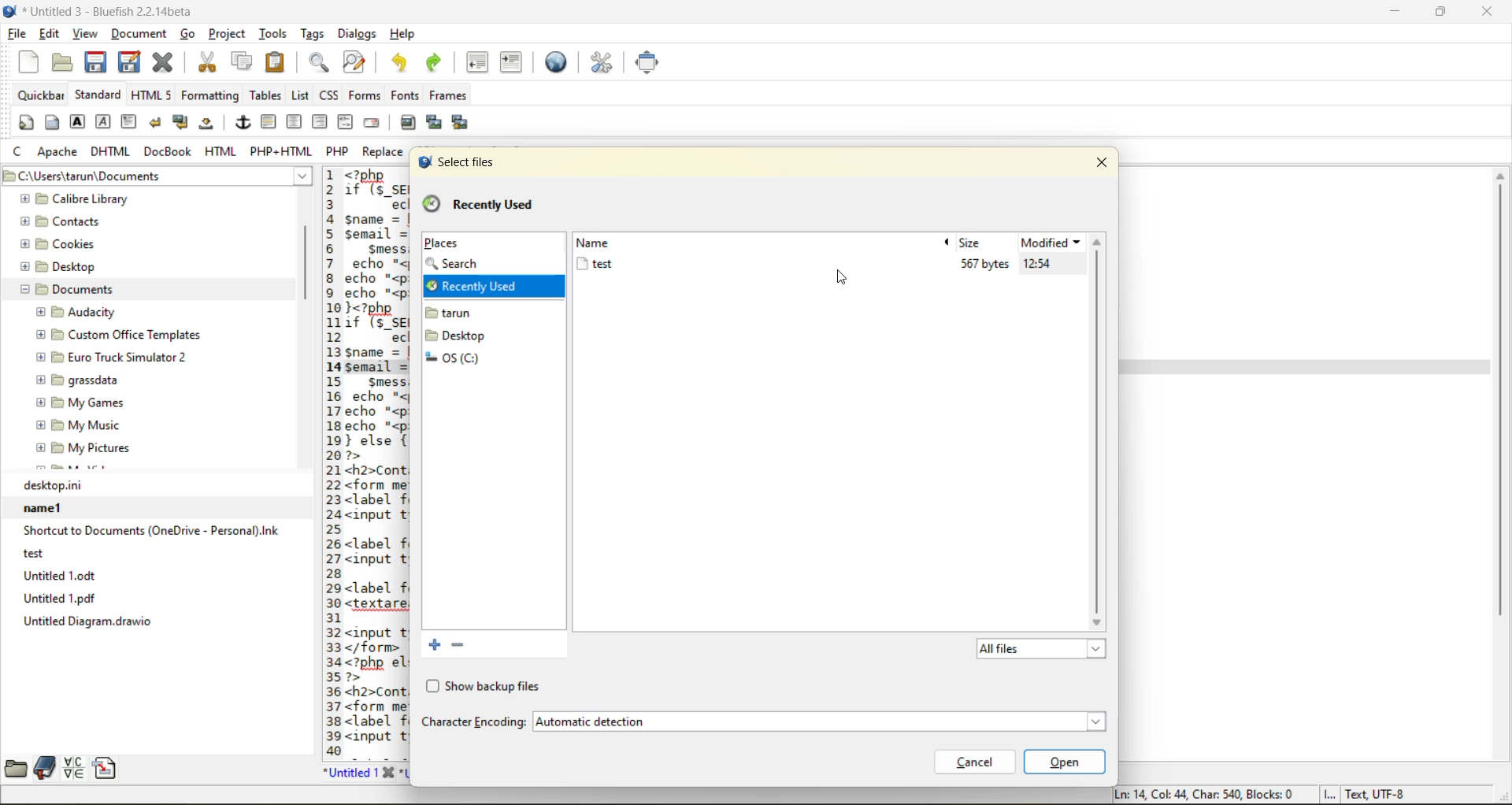 The width and height of the screenshot is (1512, 805). I want to click on new, so click(24, 62).